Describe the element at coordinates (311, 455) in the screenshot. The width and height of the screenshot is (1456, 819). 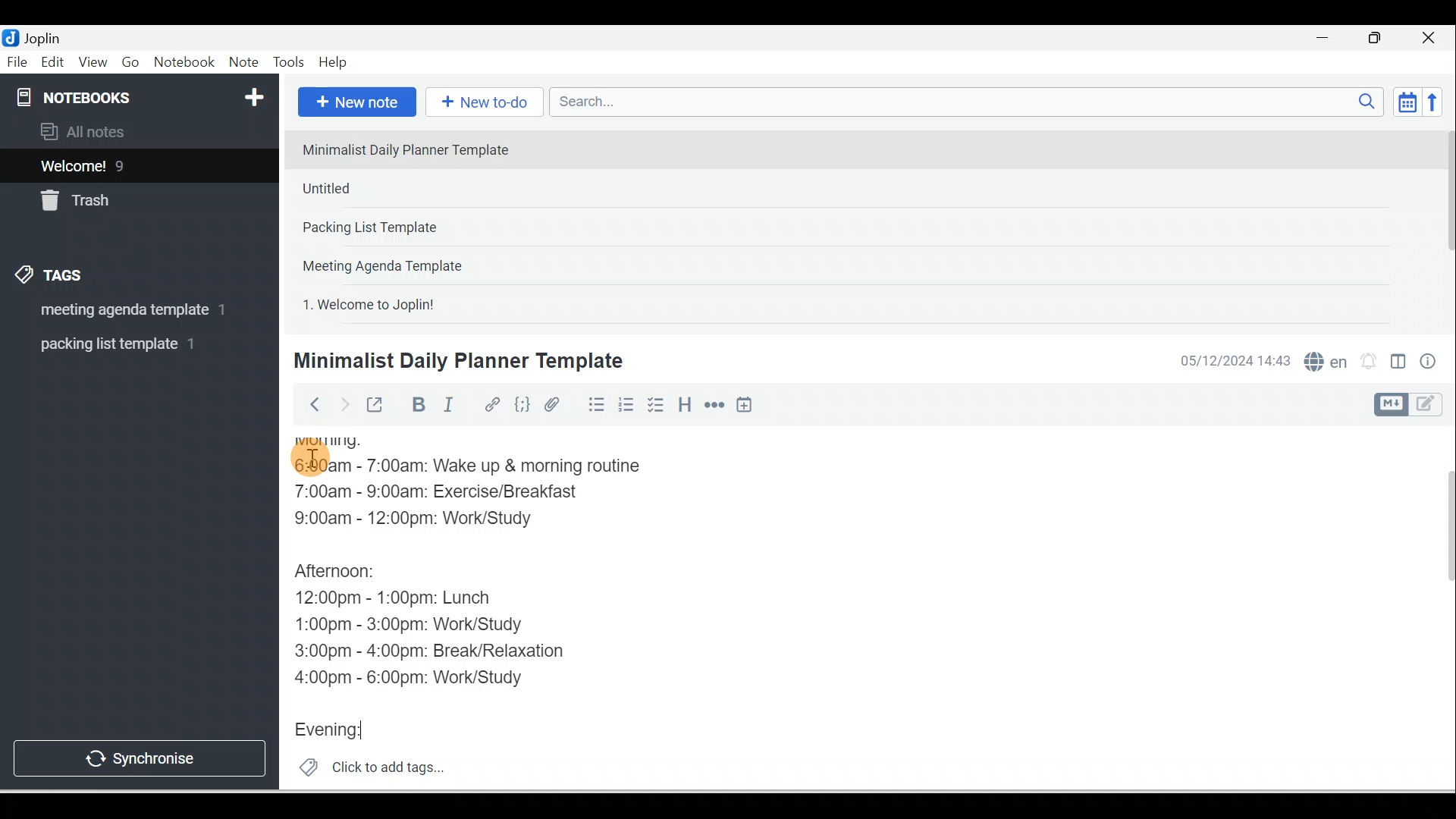
I see `Cursor` at that location.